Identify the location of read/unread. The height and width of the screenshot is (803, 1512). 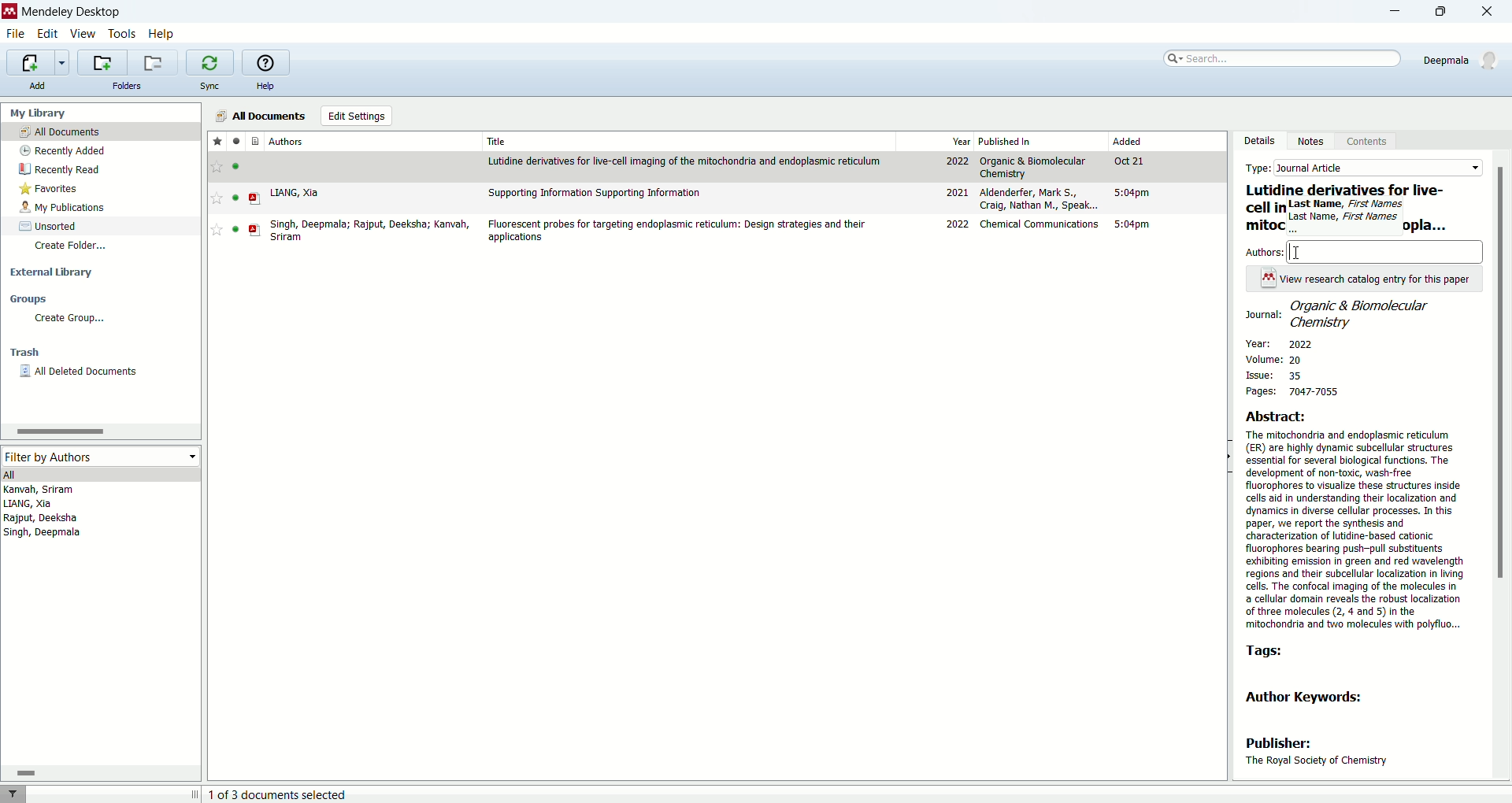
(239, 166).